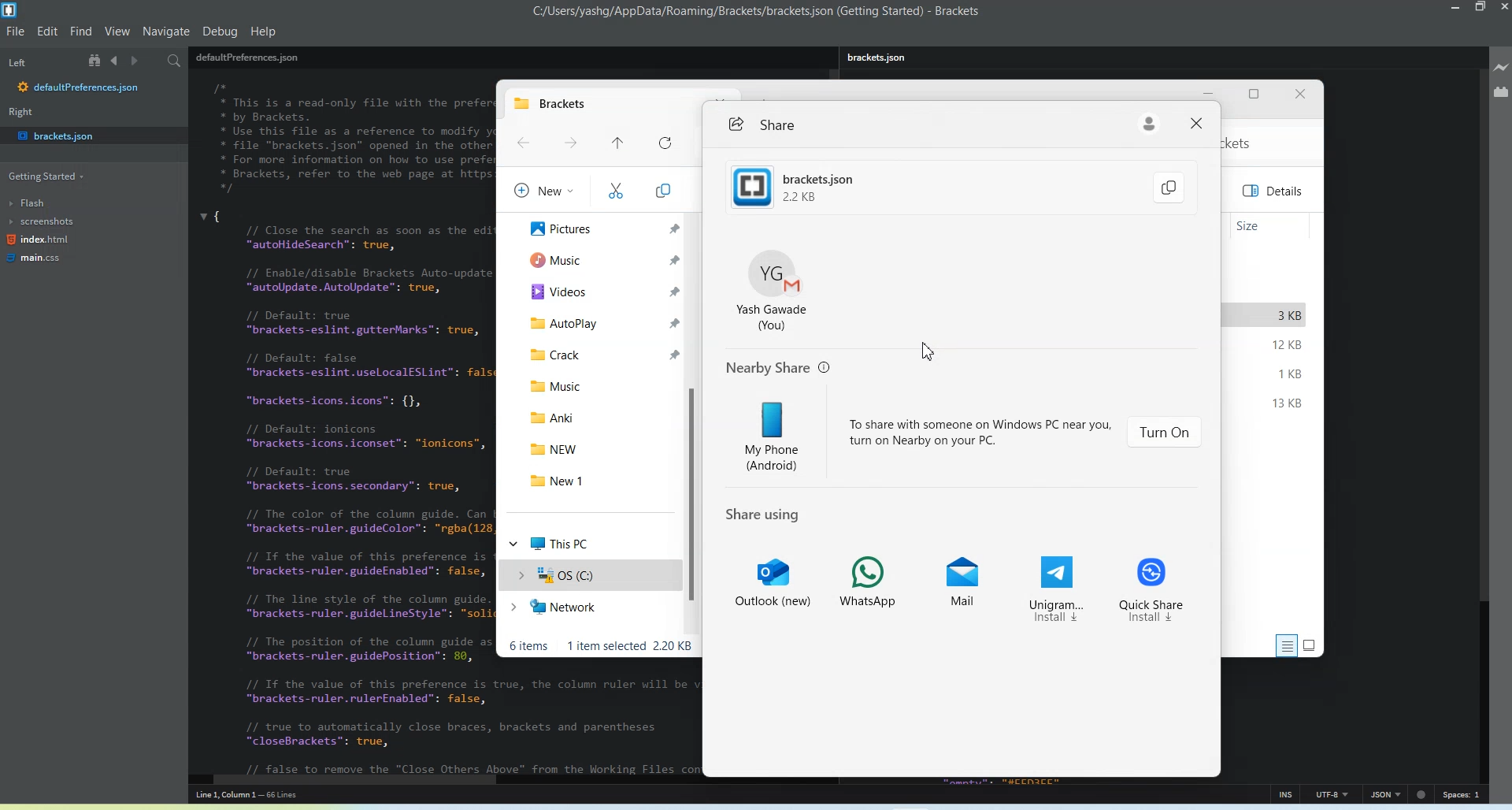  Describe the element at coordinates (1503, 9) in the screenshot. I see `Close` at that location.